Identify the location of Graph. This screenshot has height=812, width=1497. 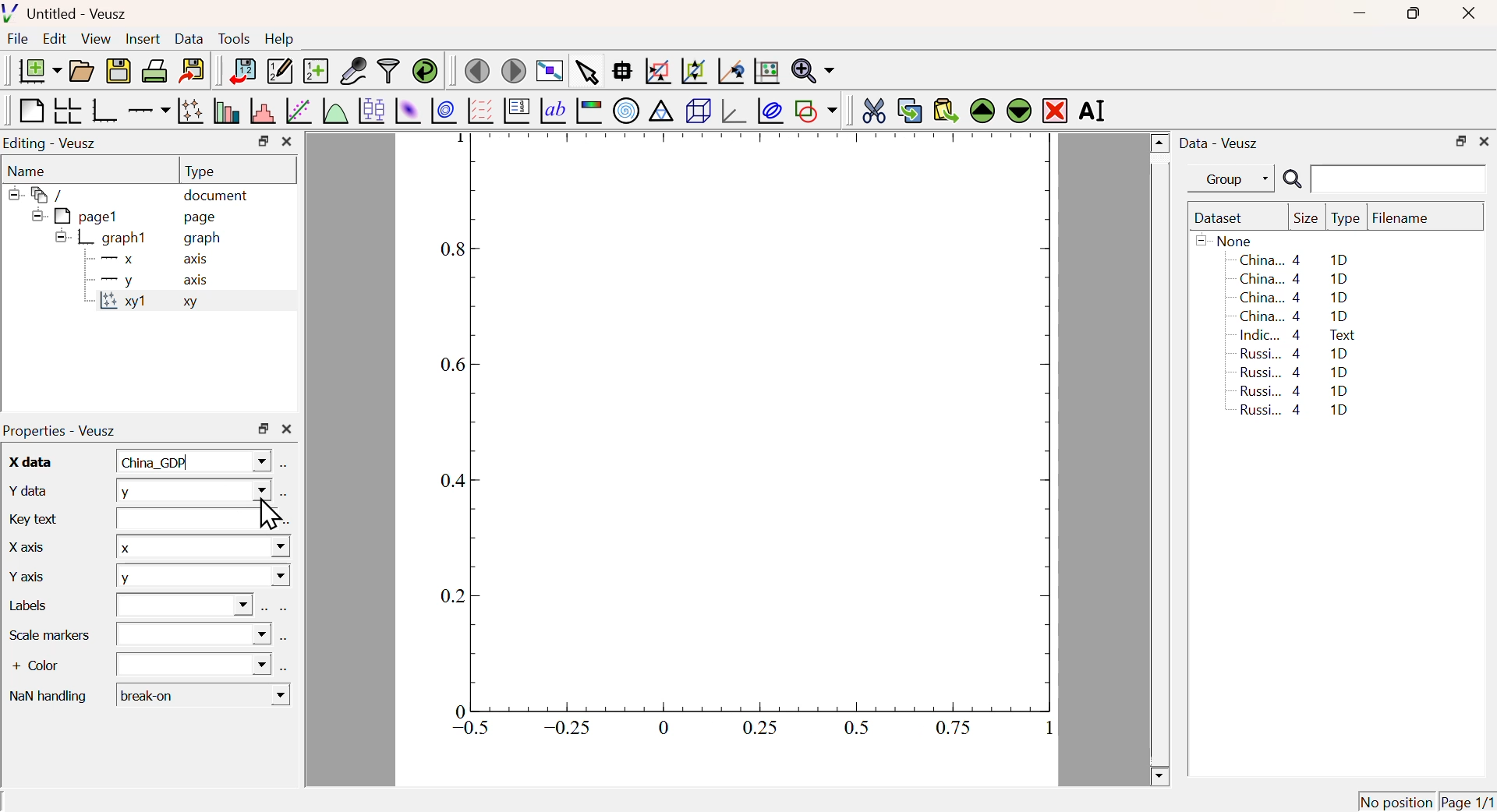
(737, 441).